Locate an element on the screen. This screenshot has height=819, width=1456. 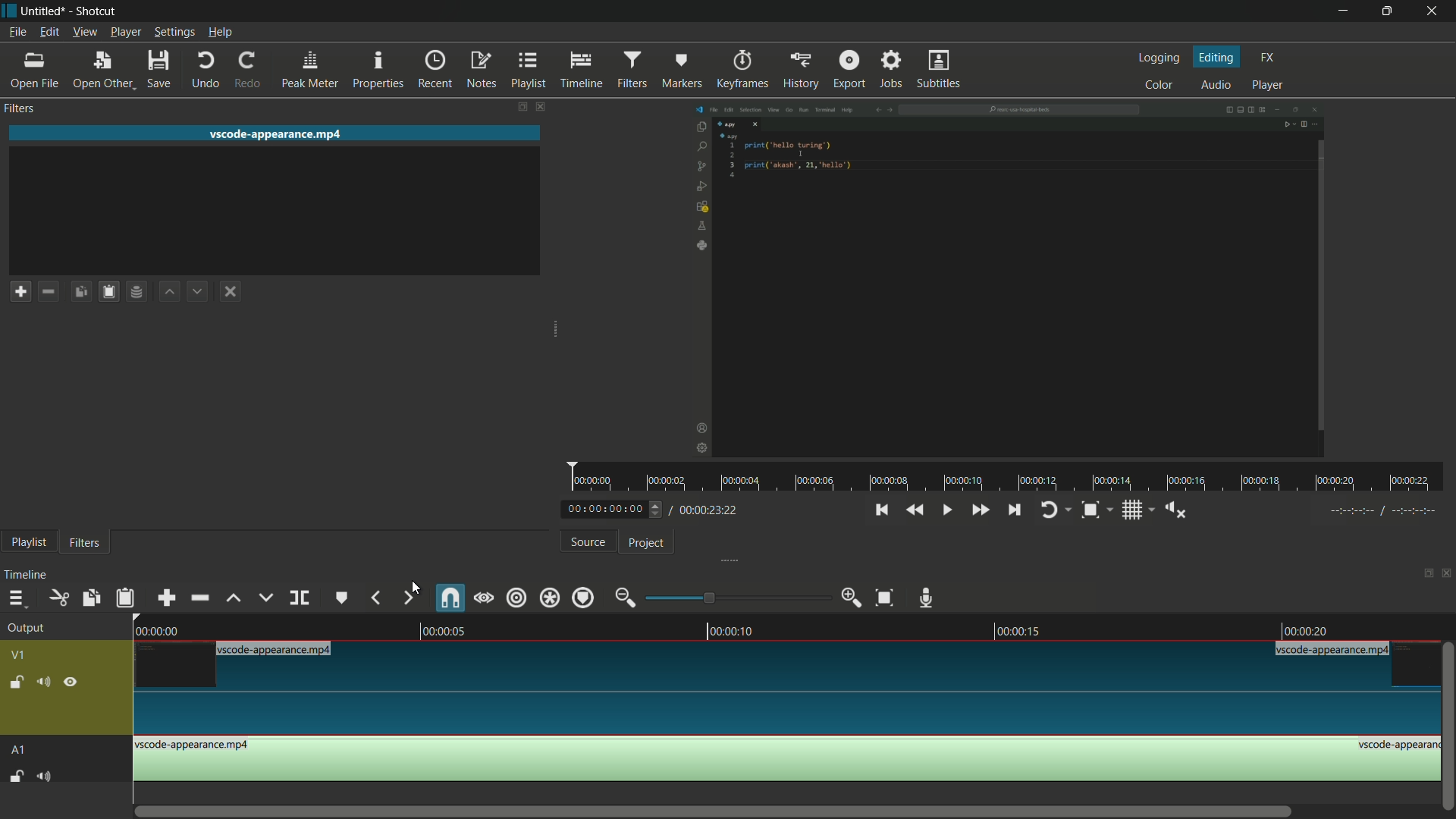
filters is located at coordinates (633, 70).